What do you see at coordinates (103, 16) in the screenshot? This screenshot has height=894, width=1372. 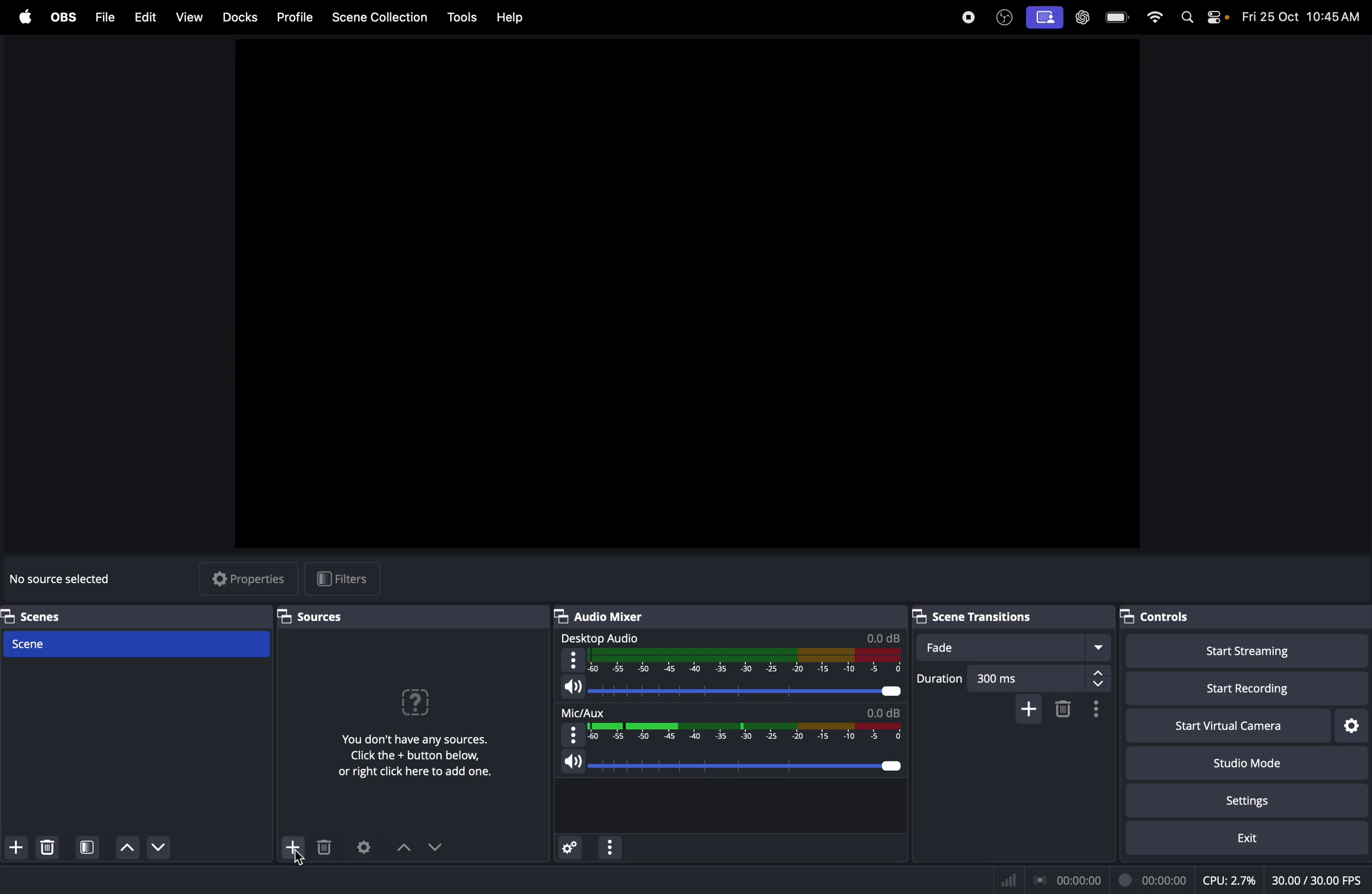 I see `Files` at bounding box center [103, 16].